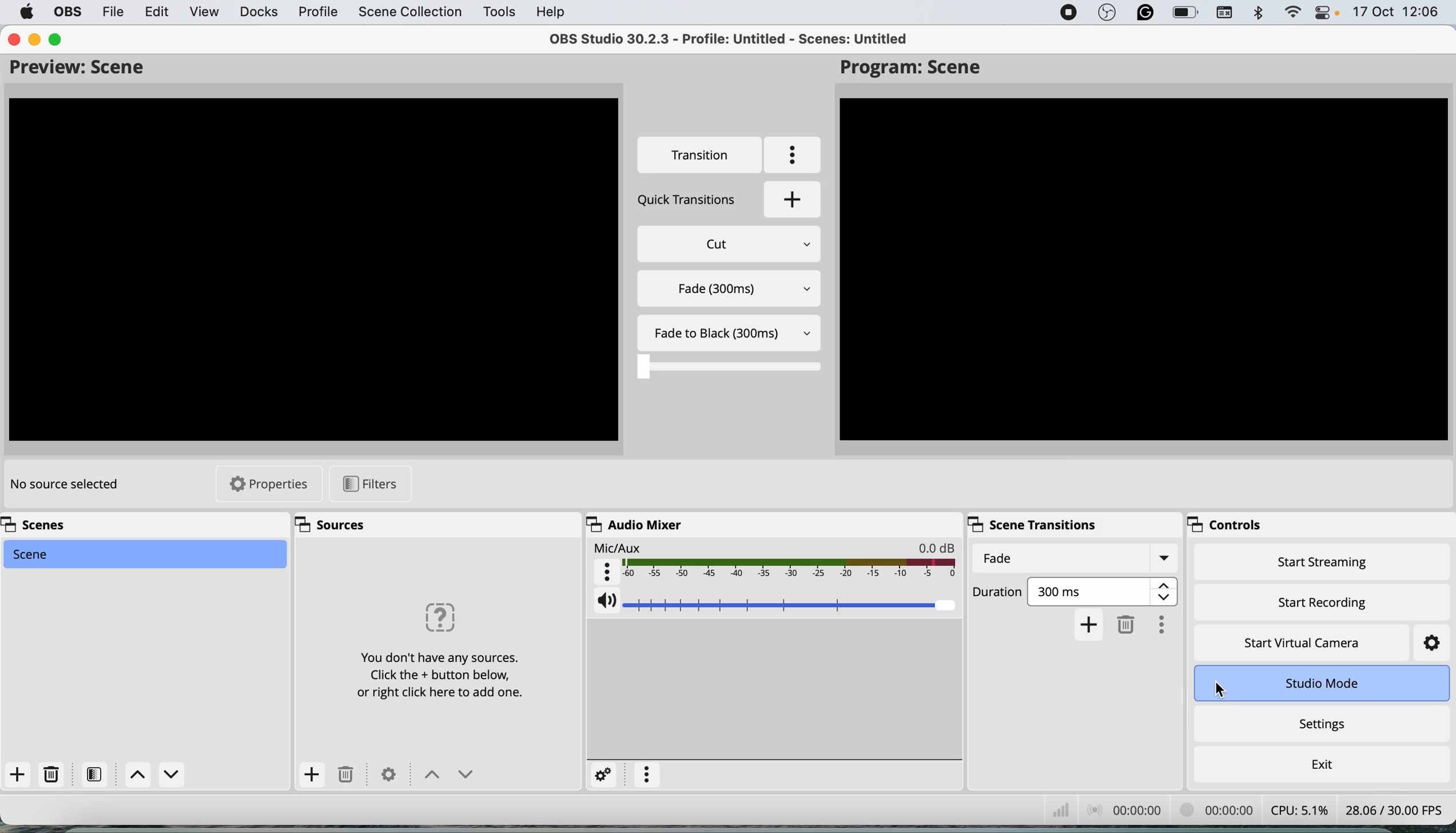  Describe the element at coordinates (1232, 523) in the screenshot. I see `controls` at that location.